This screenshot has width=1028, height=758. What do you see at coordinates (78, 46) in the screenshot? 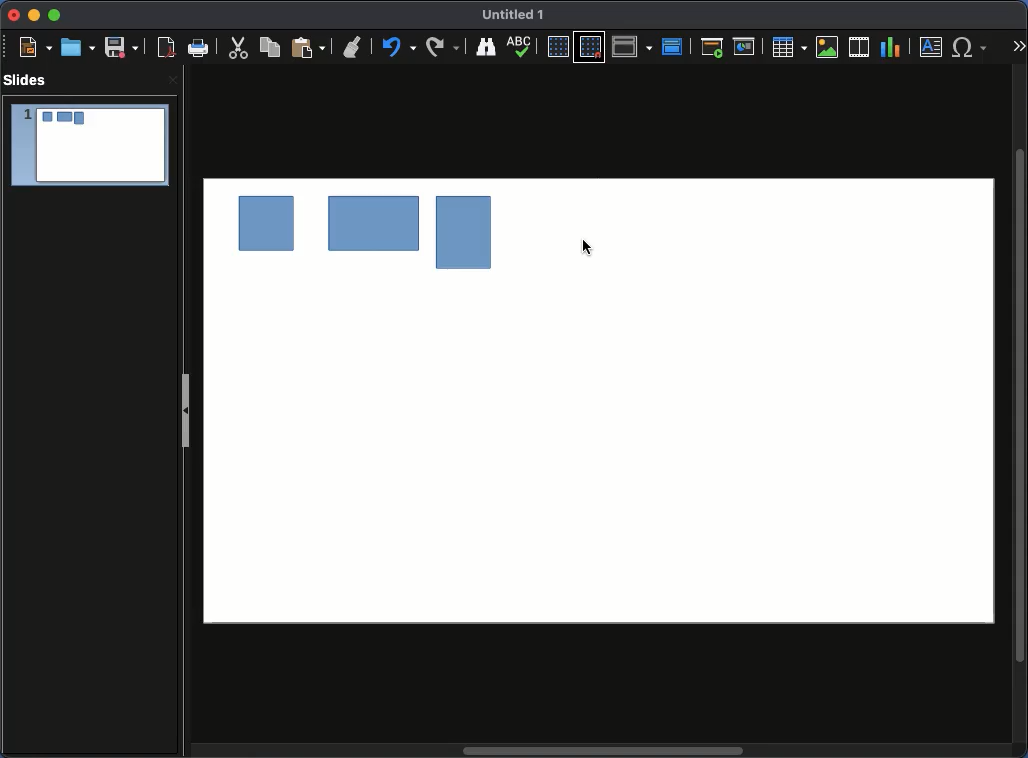
I see `Open` at bounding box center [78, 46].